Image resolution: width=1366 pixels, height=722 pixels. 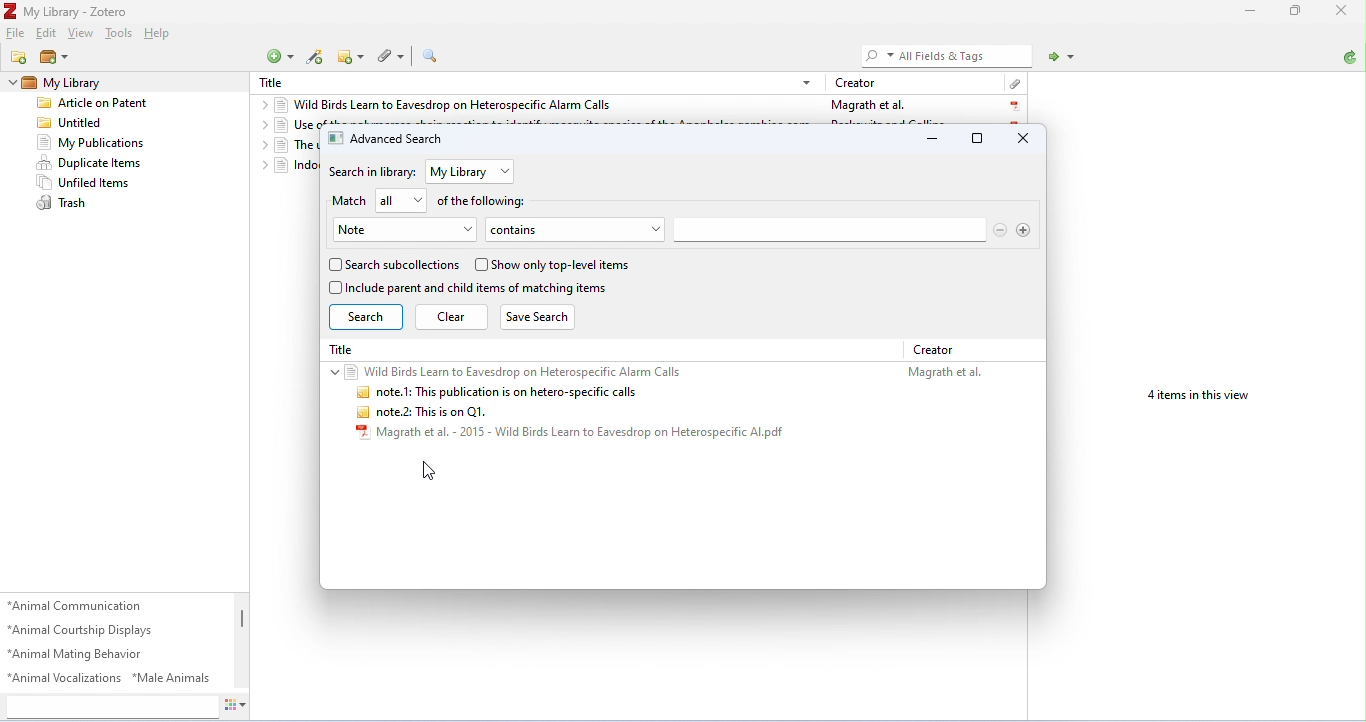 What do you see at coordinates (447, 106) in the screenshot?
I see `wild birds learn to eavesdrop on heterospecific alarm calls` at bounding box center [447, 106].